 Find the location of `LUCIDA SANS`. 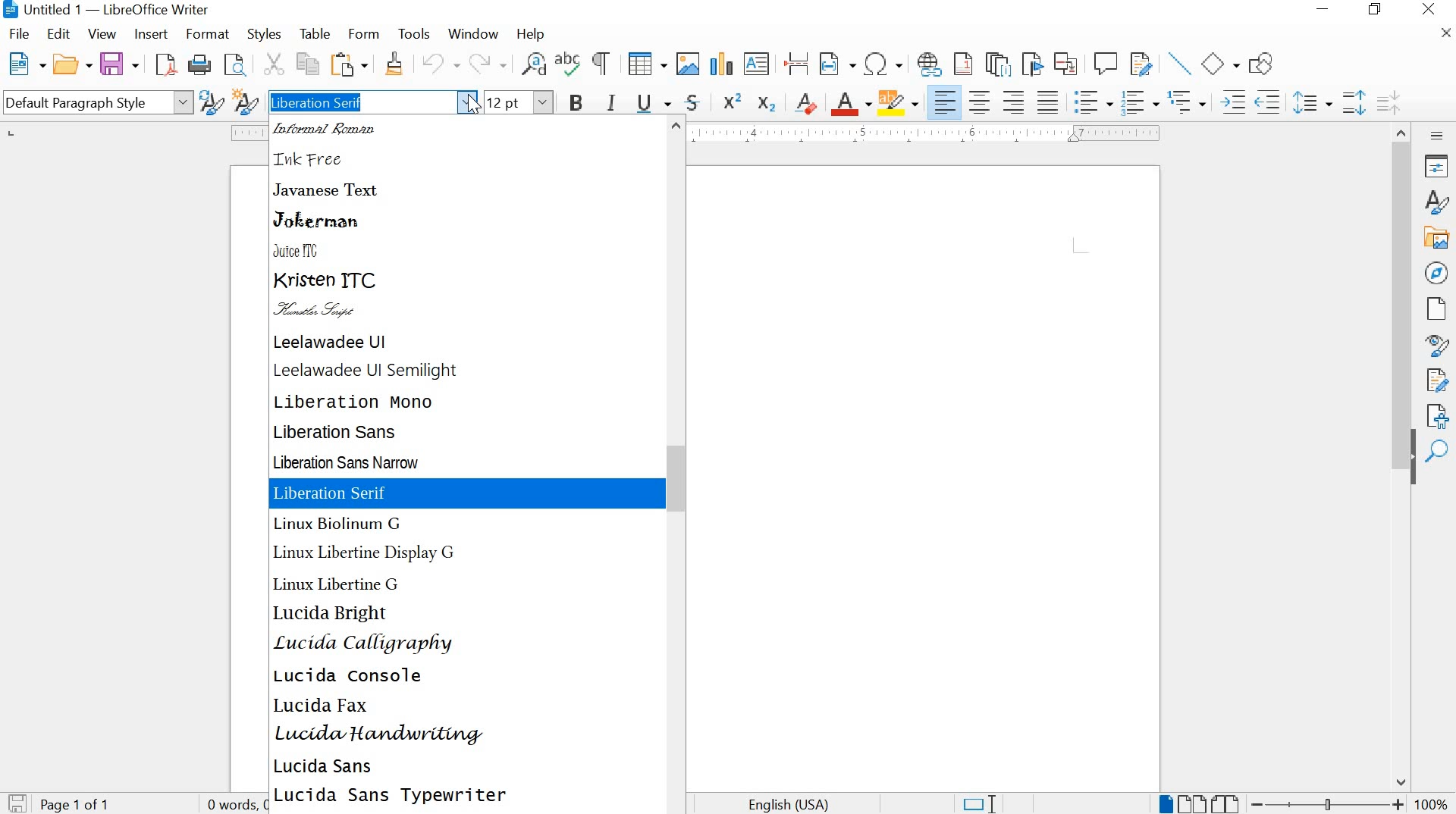

LUCIDA SANS is located at coordinates (328, 767).